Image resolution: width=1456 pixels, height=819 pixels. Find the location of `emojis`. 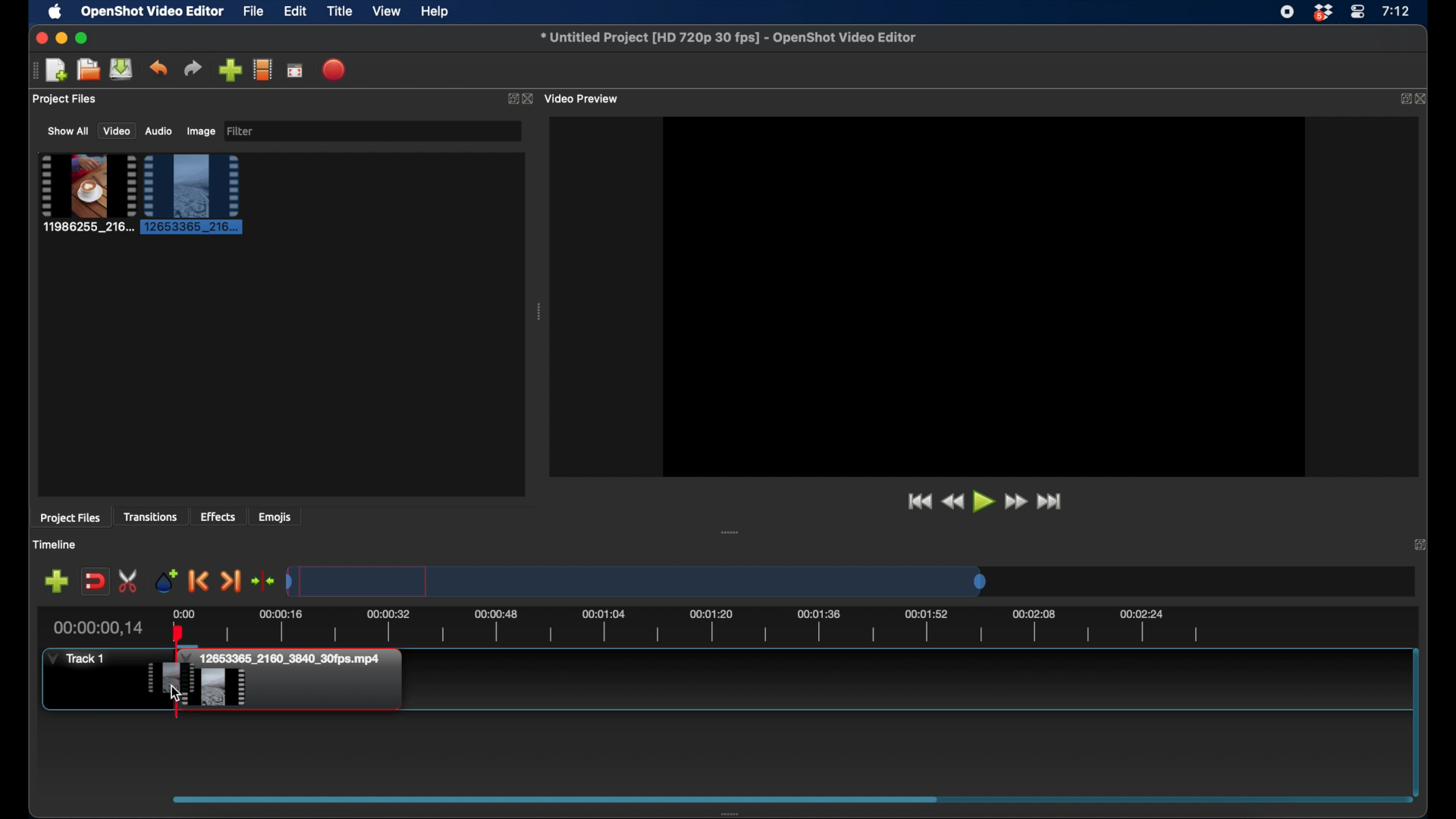

emojis is located at coordinates (276, 516).